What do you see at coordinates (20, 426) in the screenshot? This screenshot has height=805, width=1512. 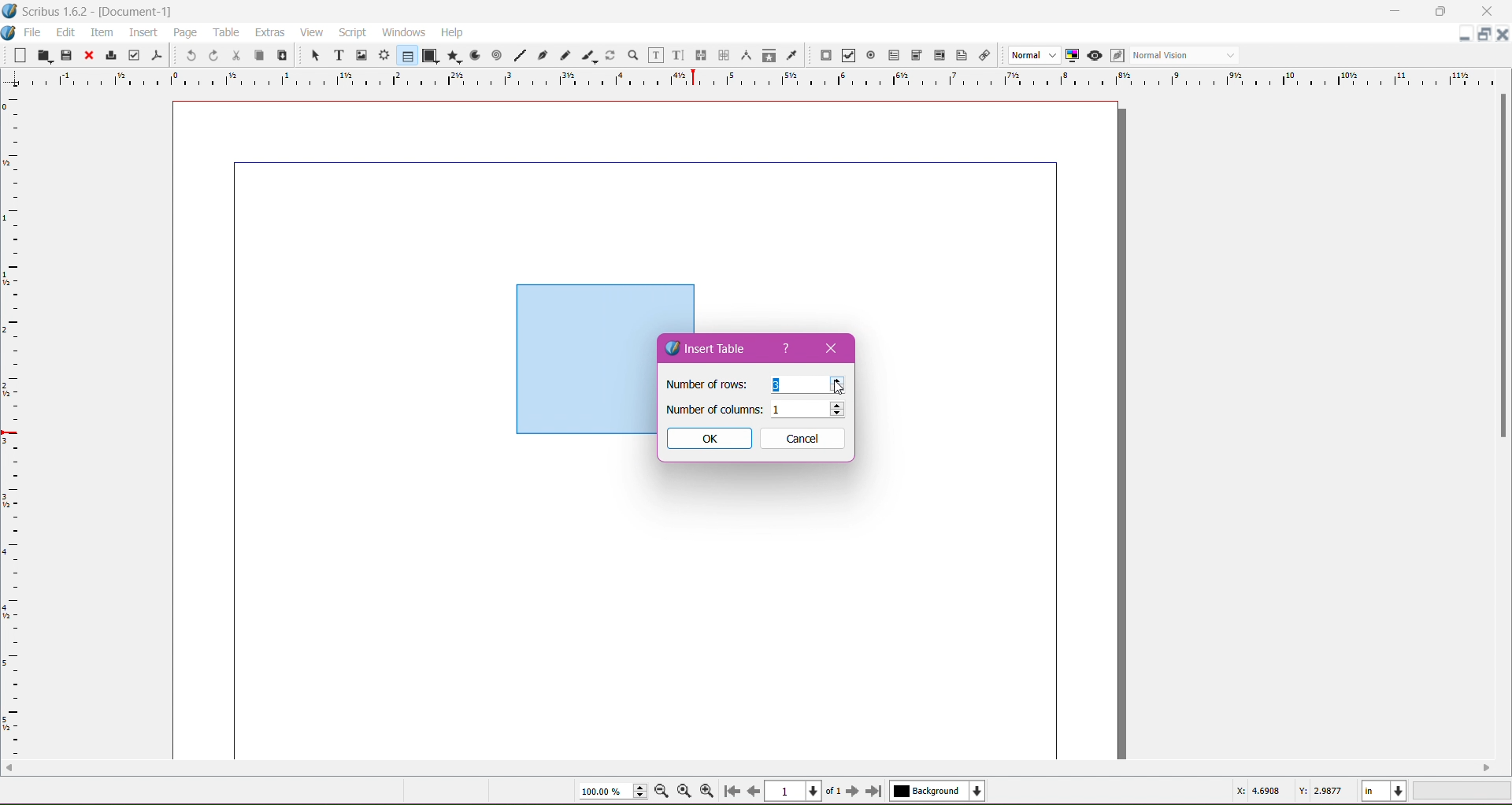 I see `Grid` at bounding box center [20, 426].